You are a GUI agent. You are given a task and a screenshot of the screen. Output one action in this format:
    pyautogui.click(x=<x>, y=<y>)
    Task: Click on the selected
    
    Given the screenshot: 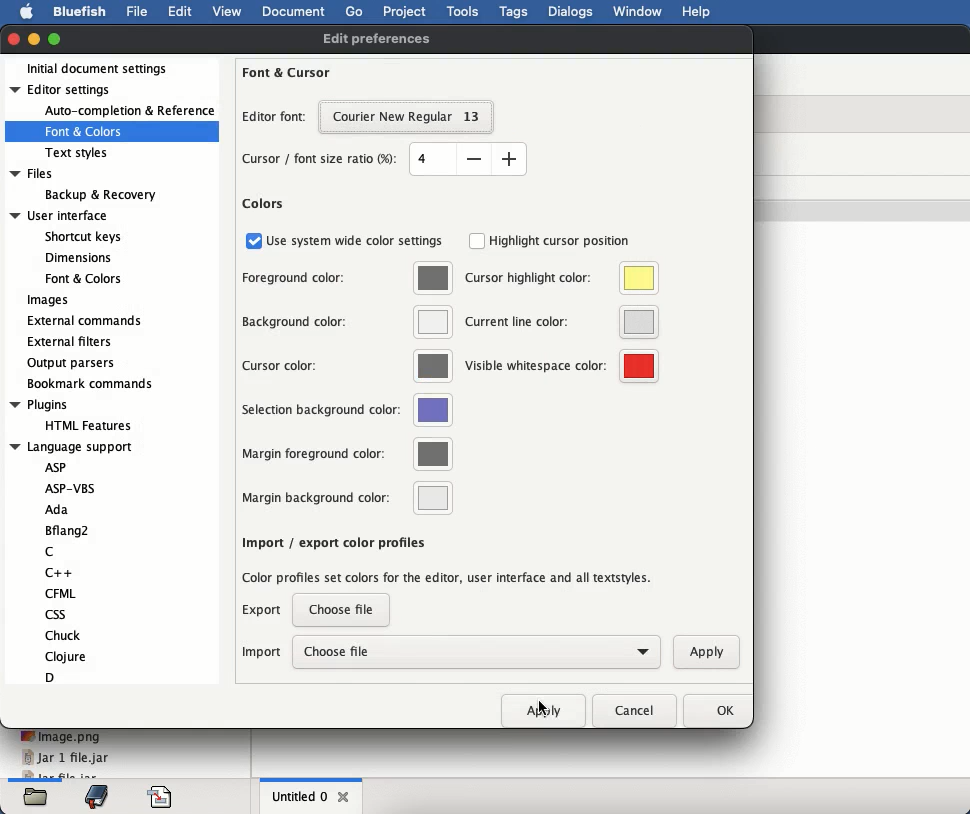 What is the action you would take?
    pyautogui.click(x=407, y=119)
    